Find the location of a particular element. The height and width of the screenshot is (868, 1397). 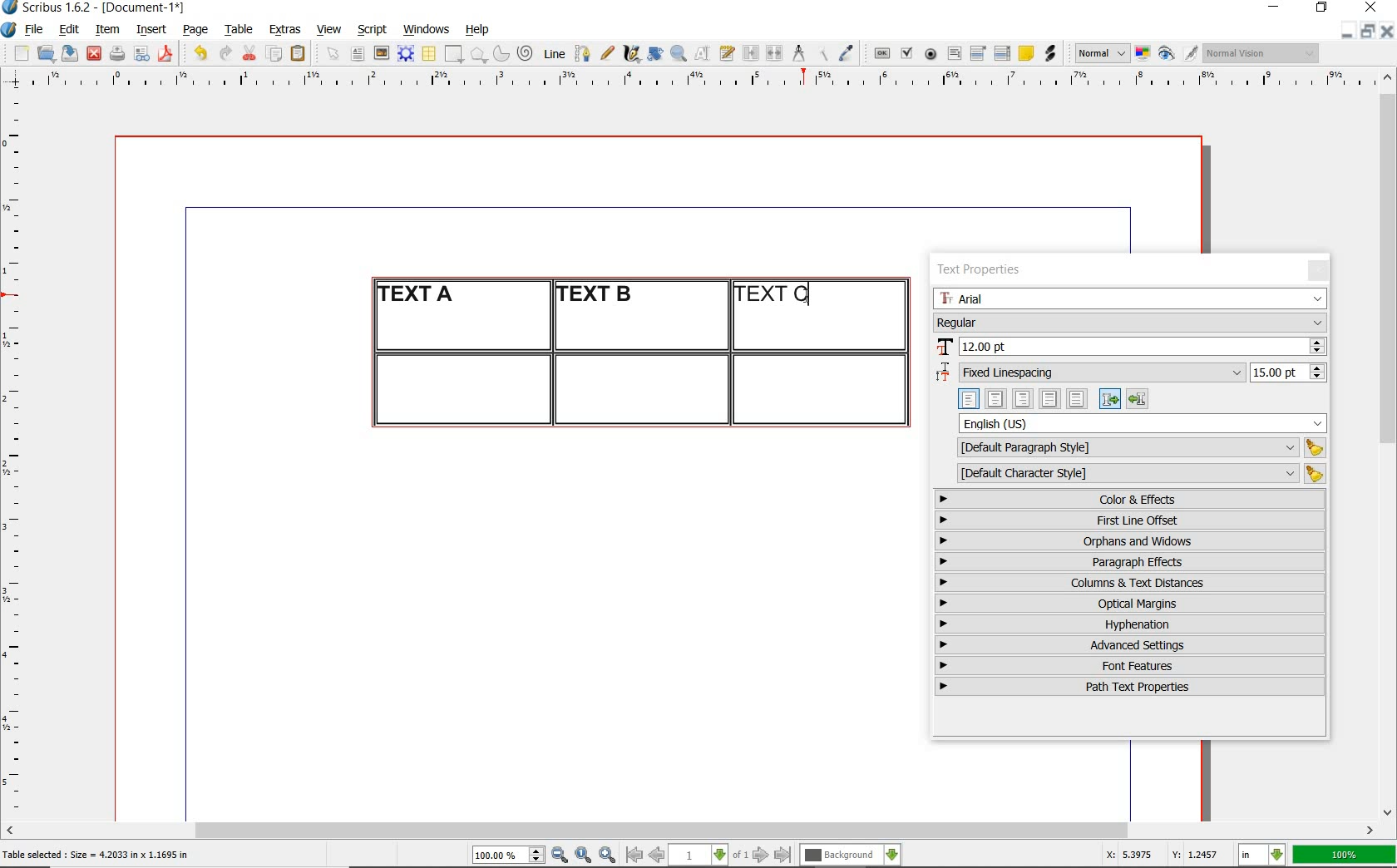

preview mode is located at coordinates (1178, 54).